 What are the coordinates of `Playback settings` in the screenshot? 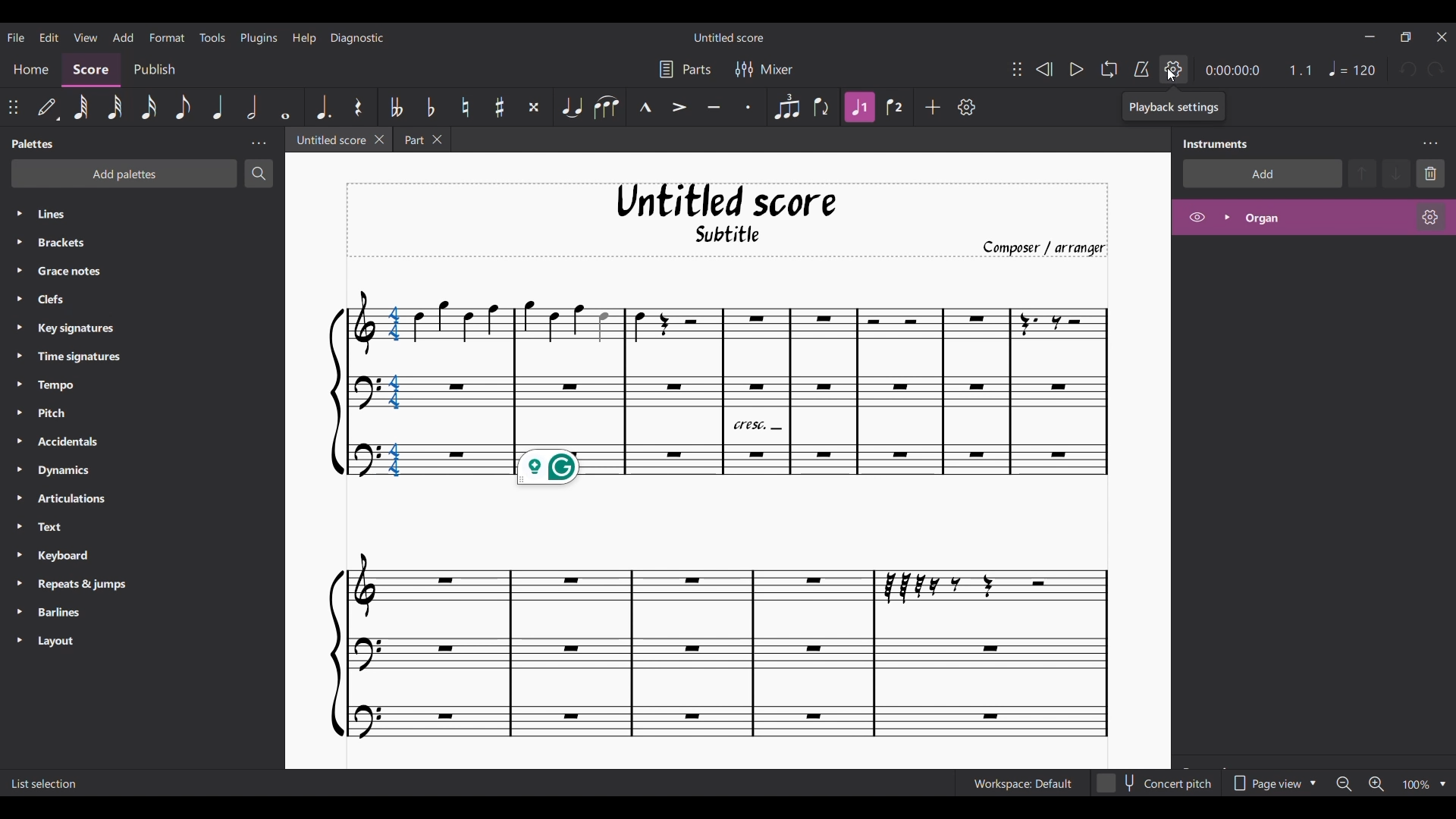 It's located at (1174, 69).